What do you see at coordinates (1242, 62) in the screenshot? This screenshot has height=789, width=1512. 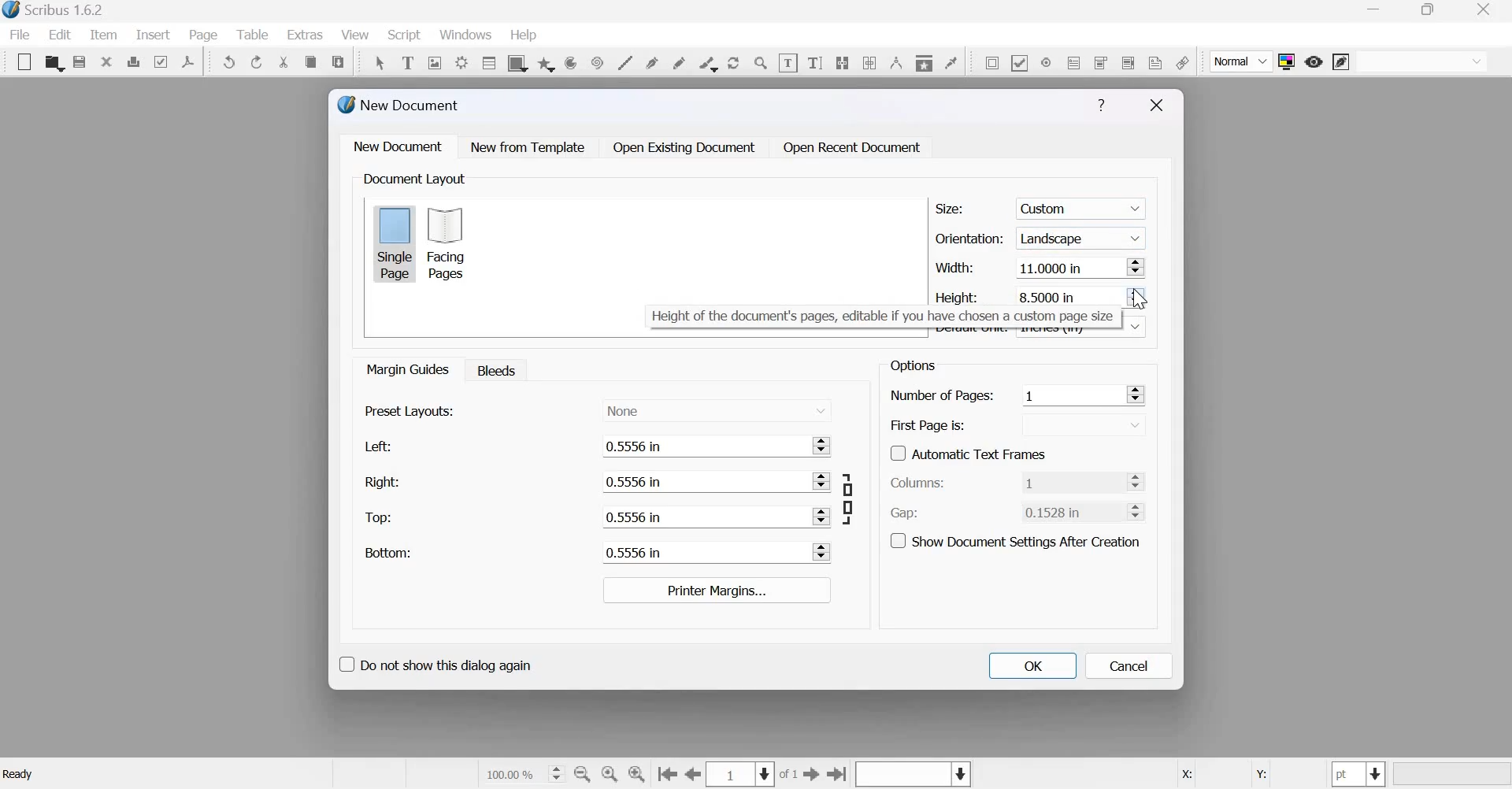 I see `Normal` at bounding box center [1242, 62].